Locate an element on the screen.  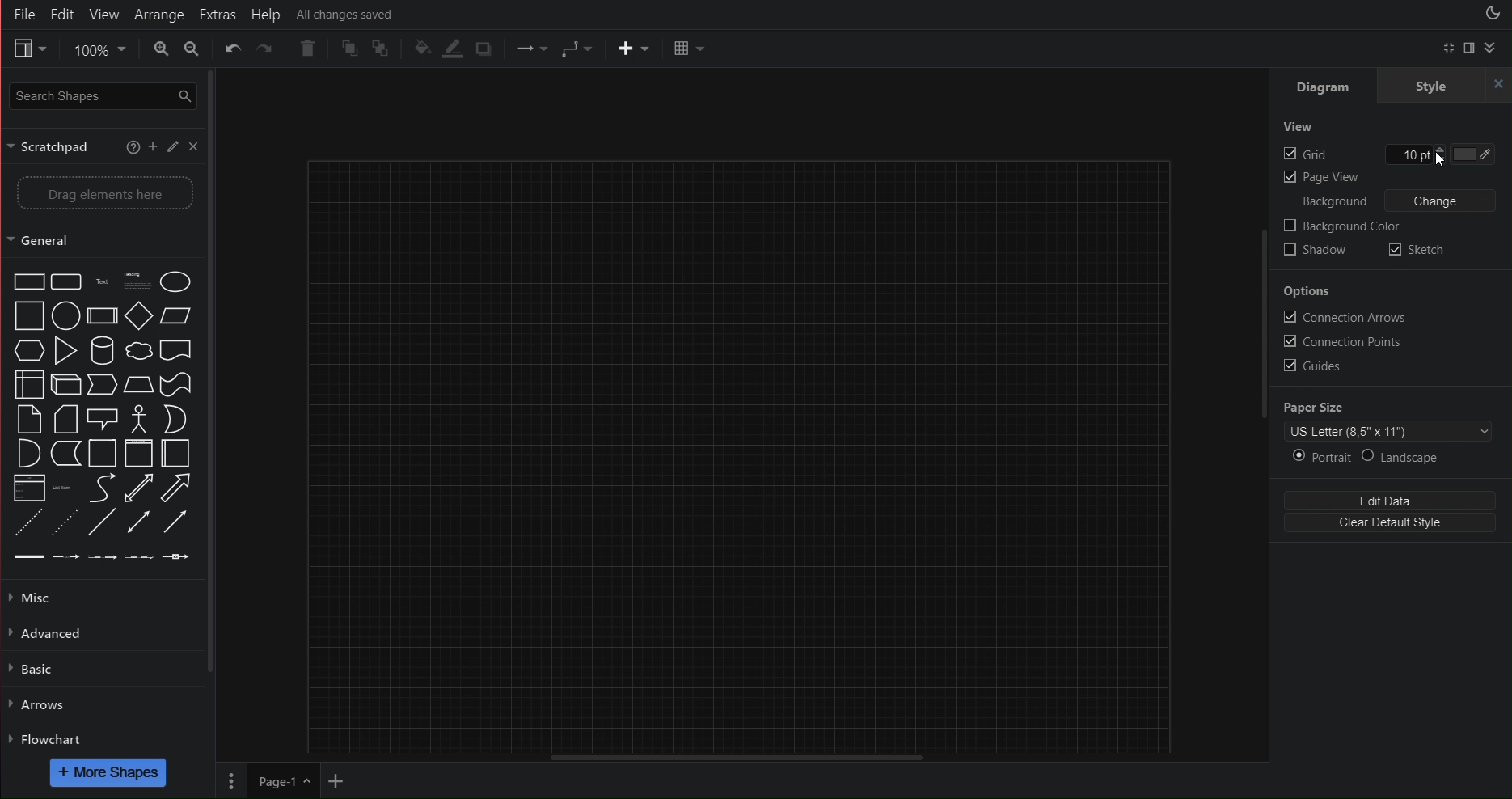
Guides is located at coordinates (1309, 366).